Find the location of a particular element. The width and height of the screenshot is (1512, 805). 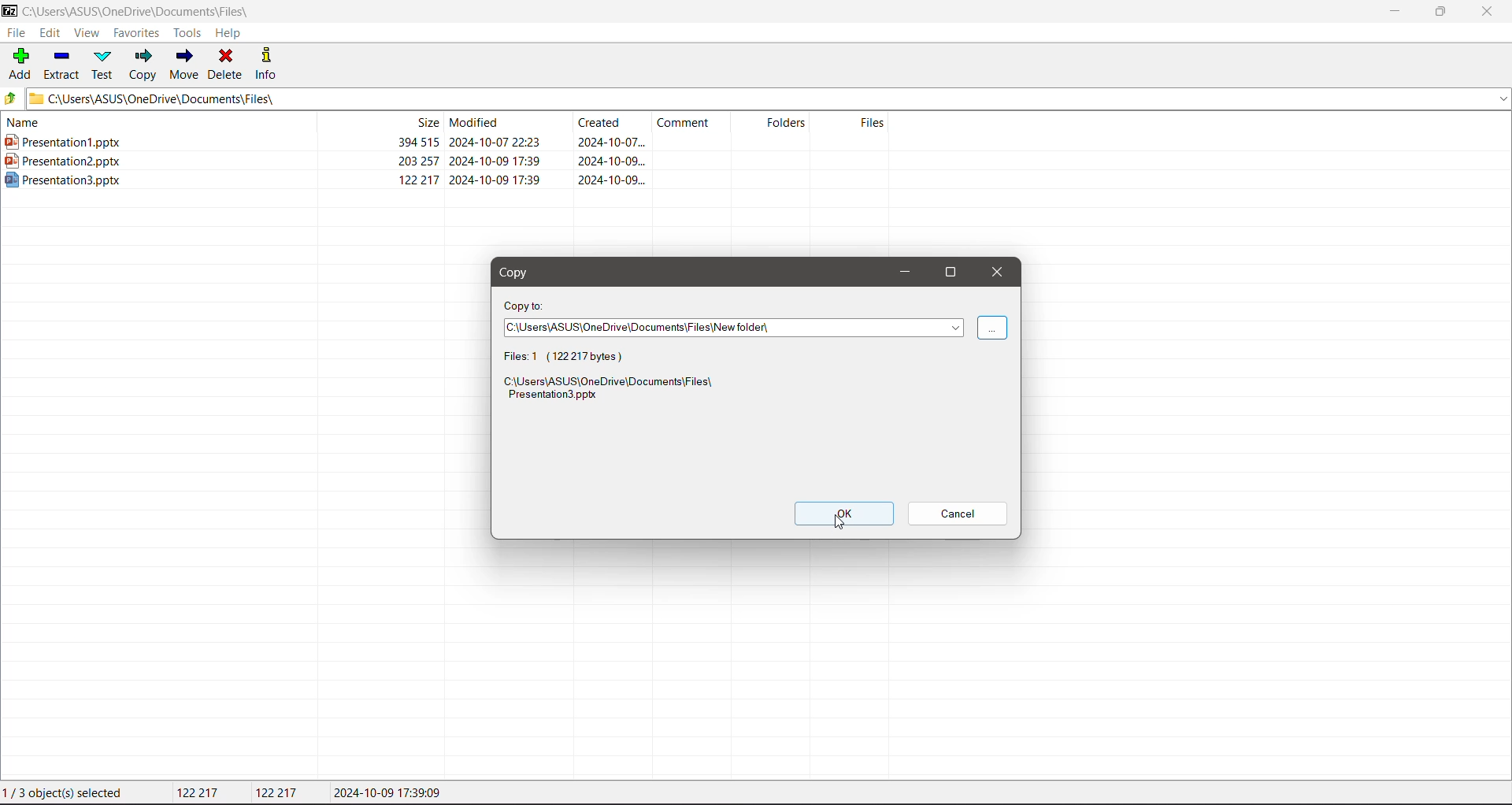

Add is located at coordinates (21, 63).